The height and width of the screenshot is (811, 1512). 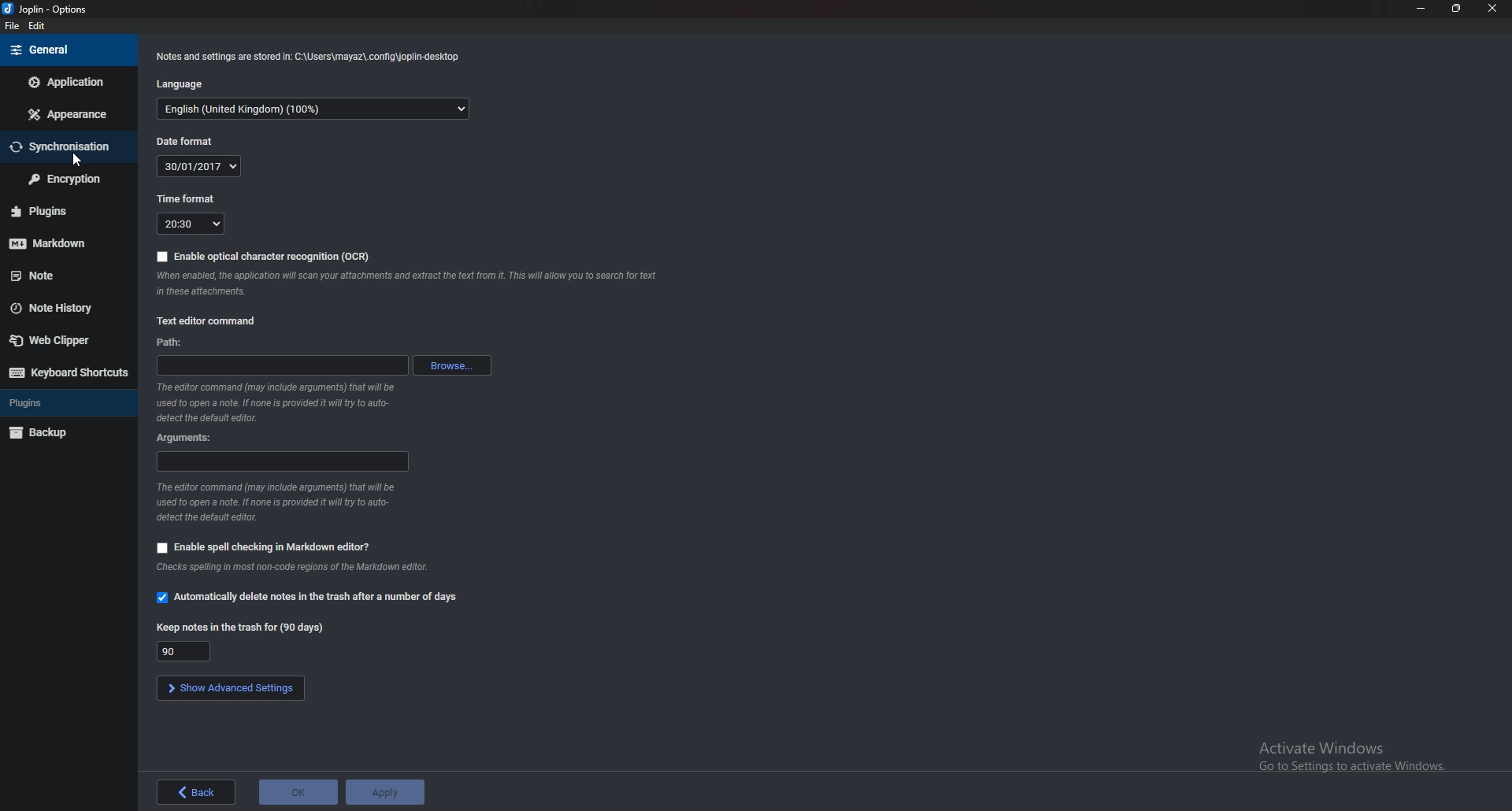 I want to click on sync, so click(x=65, y=146).